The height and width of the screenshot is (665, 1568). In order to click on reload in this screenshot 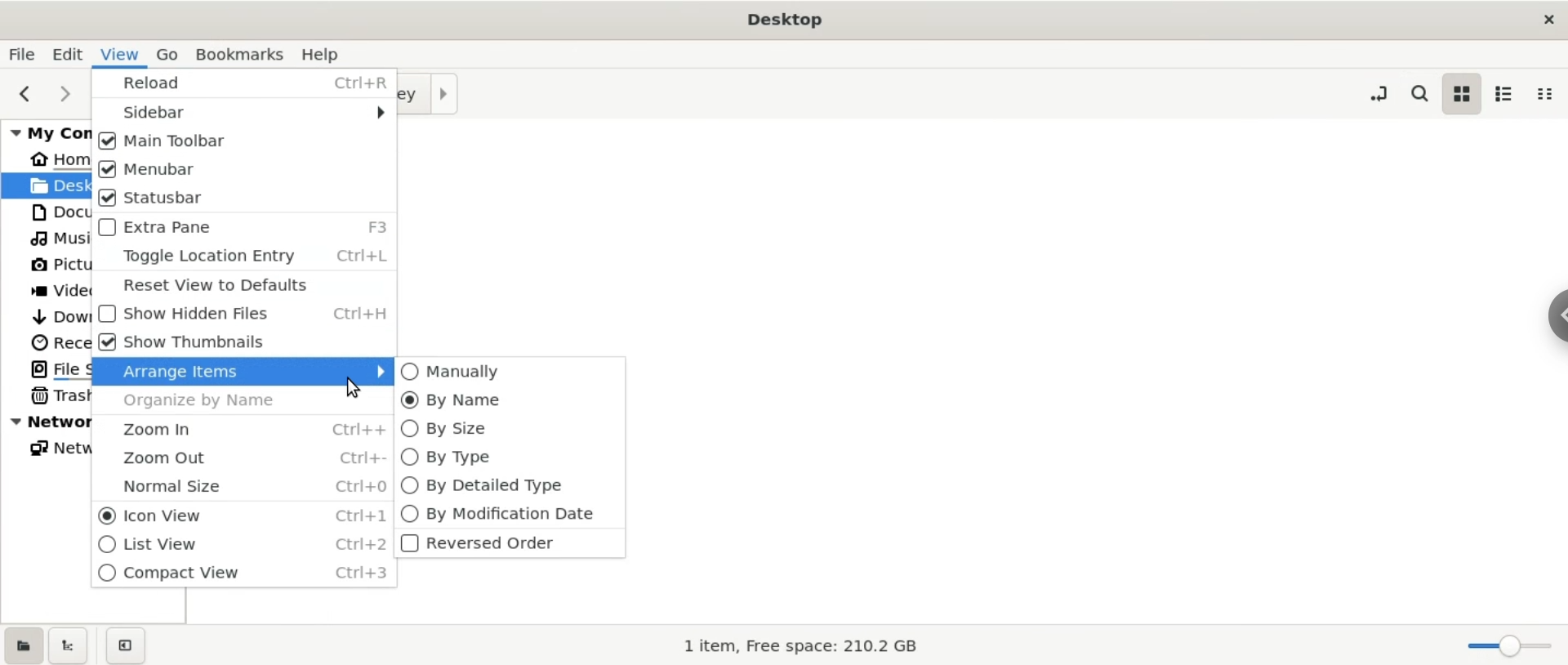, I will do `click(245, 85)`.